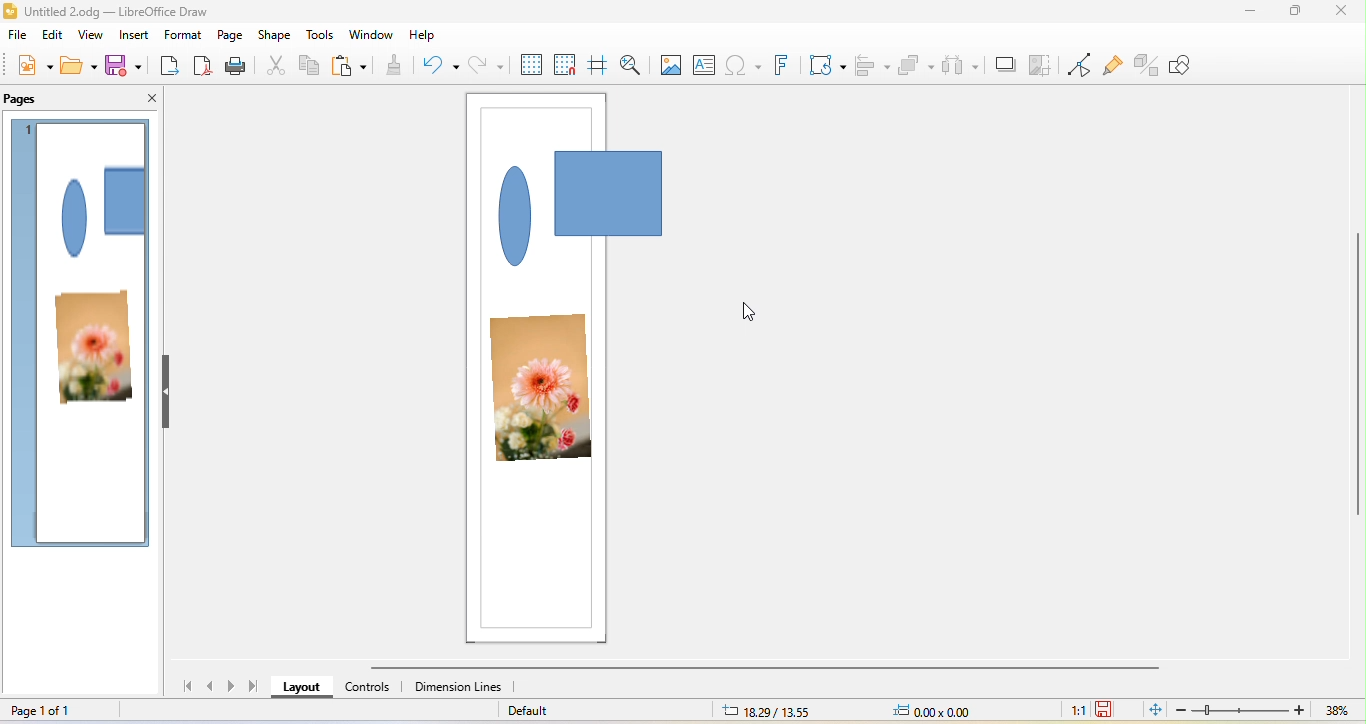  I want to click on save, so click(124, 69).